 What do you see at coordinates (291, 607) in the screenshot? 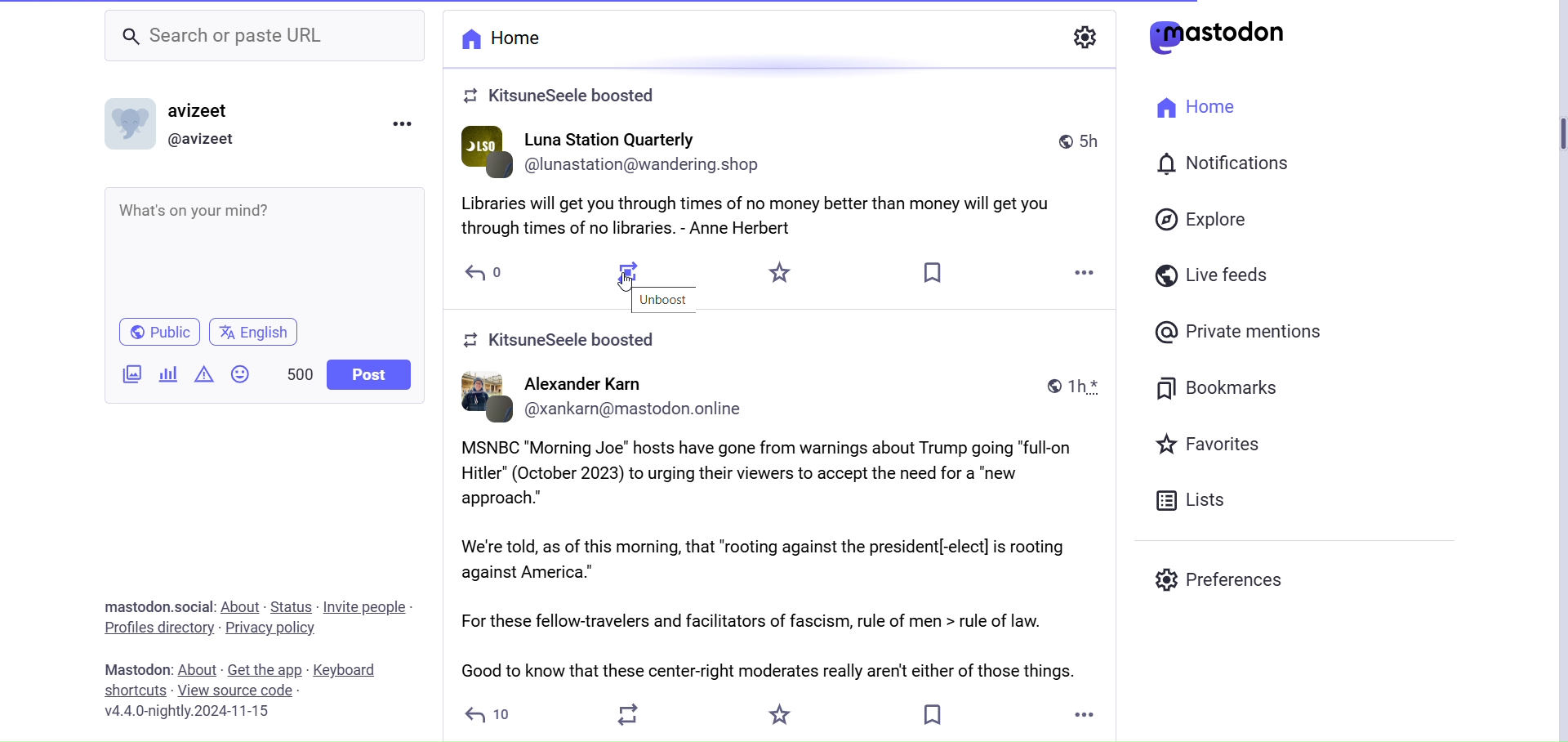
I see `Status` at bounding box center [291, 607].